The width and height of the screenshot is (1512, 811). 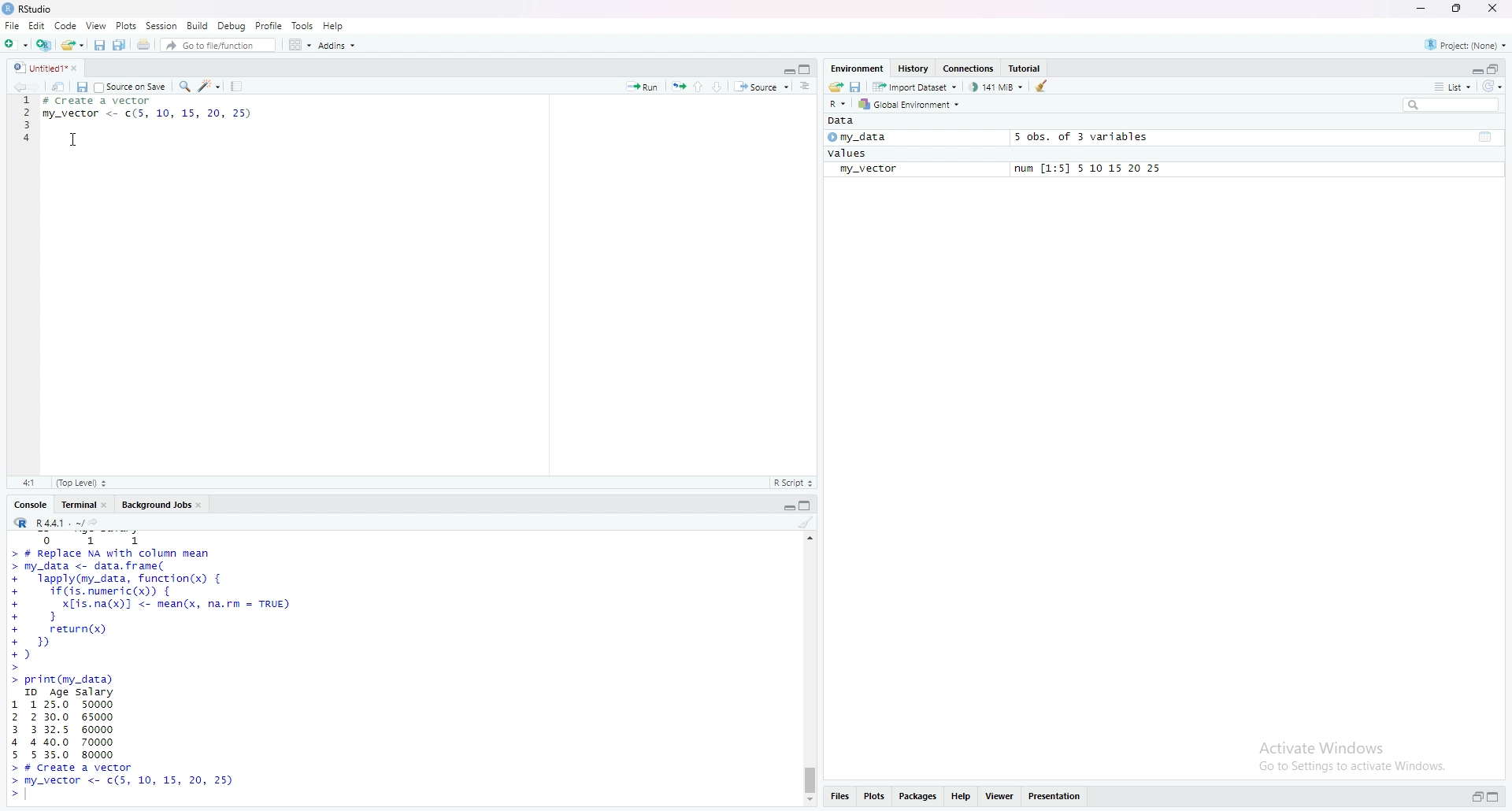 I want to click on data frame code, so click(x=157, y=111).